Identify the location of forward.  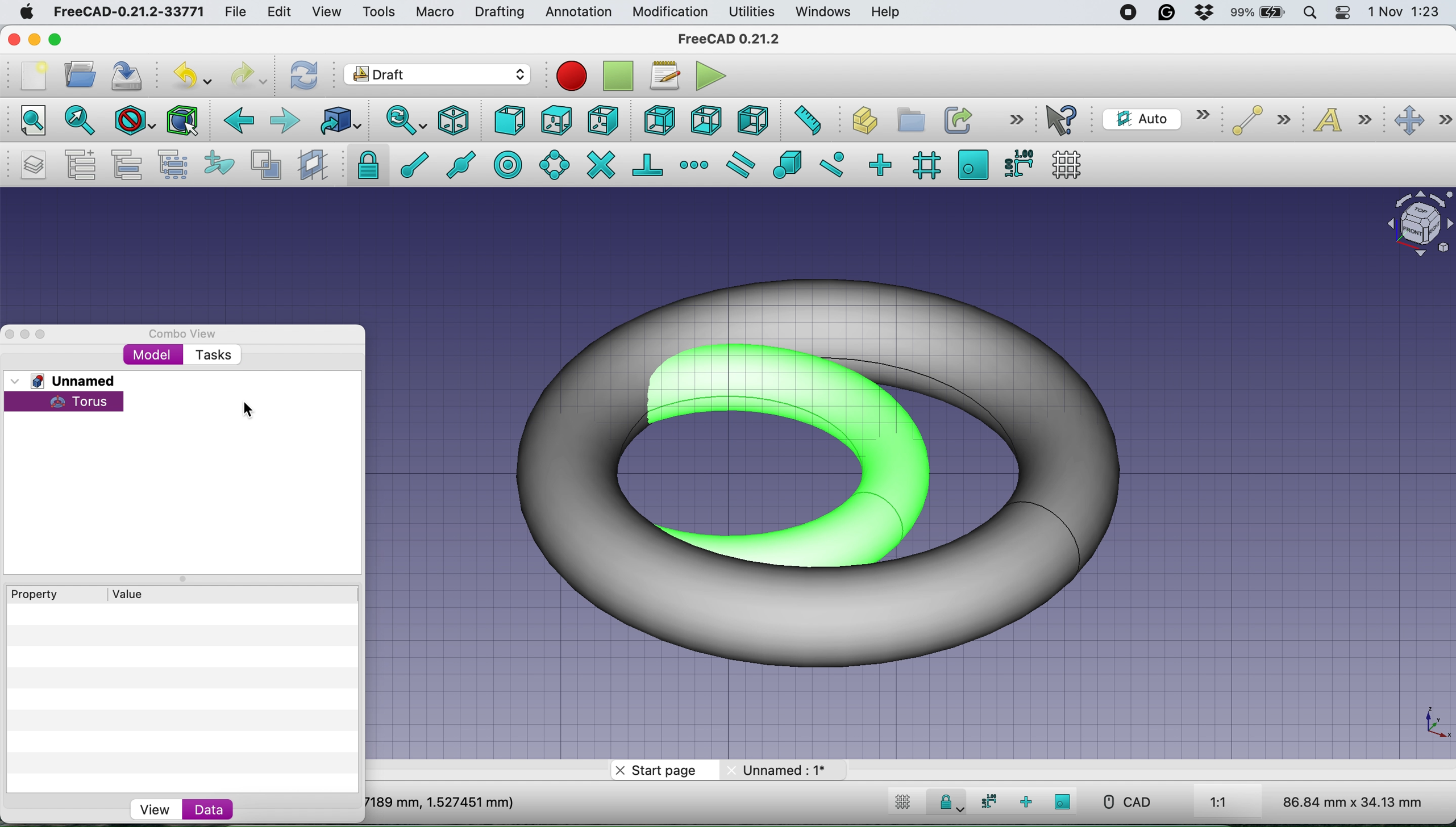
(286, 122).